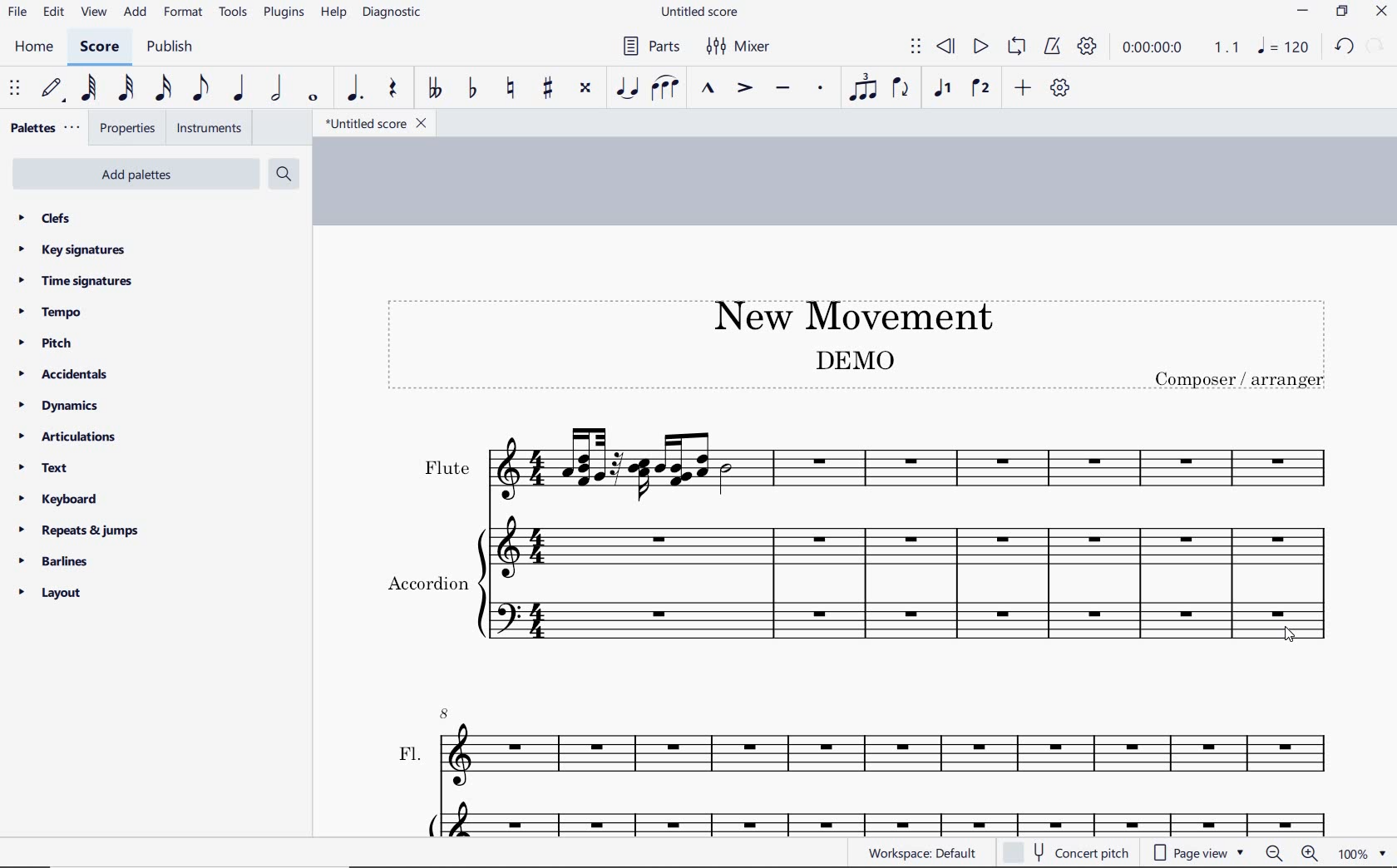  Describe the element at coordinates (892, 818) in the screenshot. I see `Acc.` at that location.